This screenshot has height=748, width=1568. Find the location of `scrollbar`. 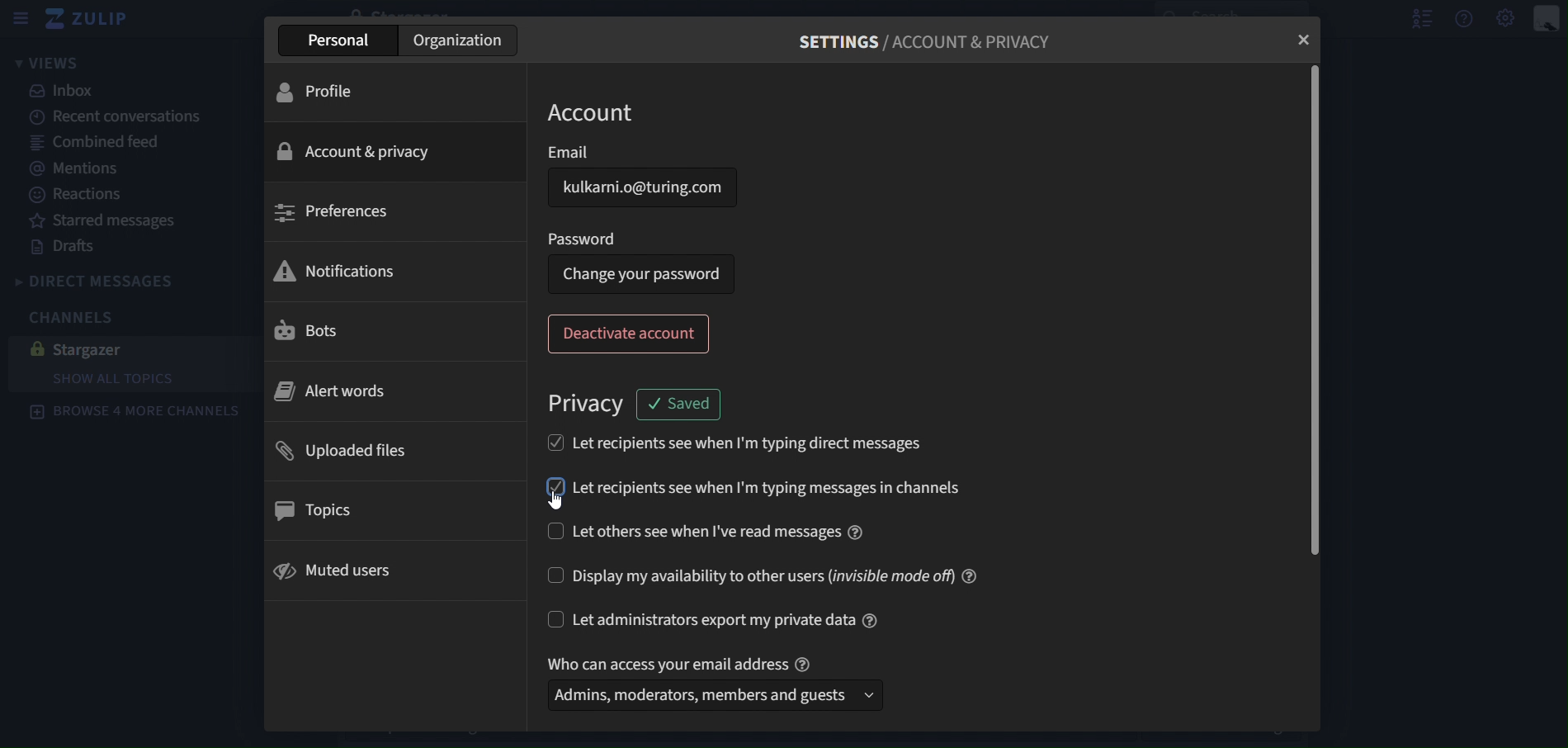

scrollbar is located at coordinates (1313, 310).